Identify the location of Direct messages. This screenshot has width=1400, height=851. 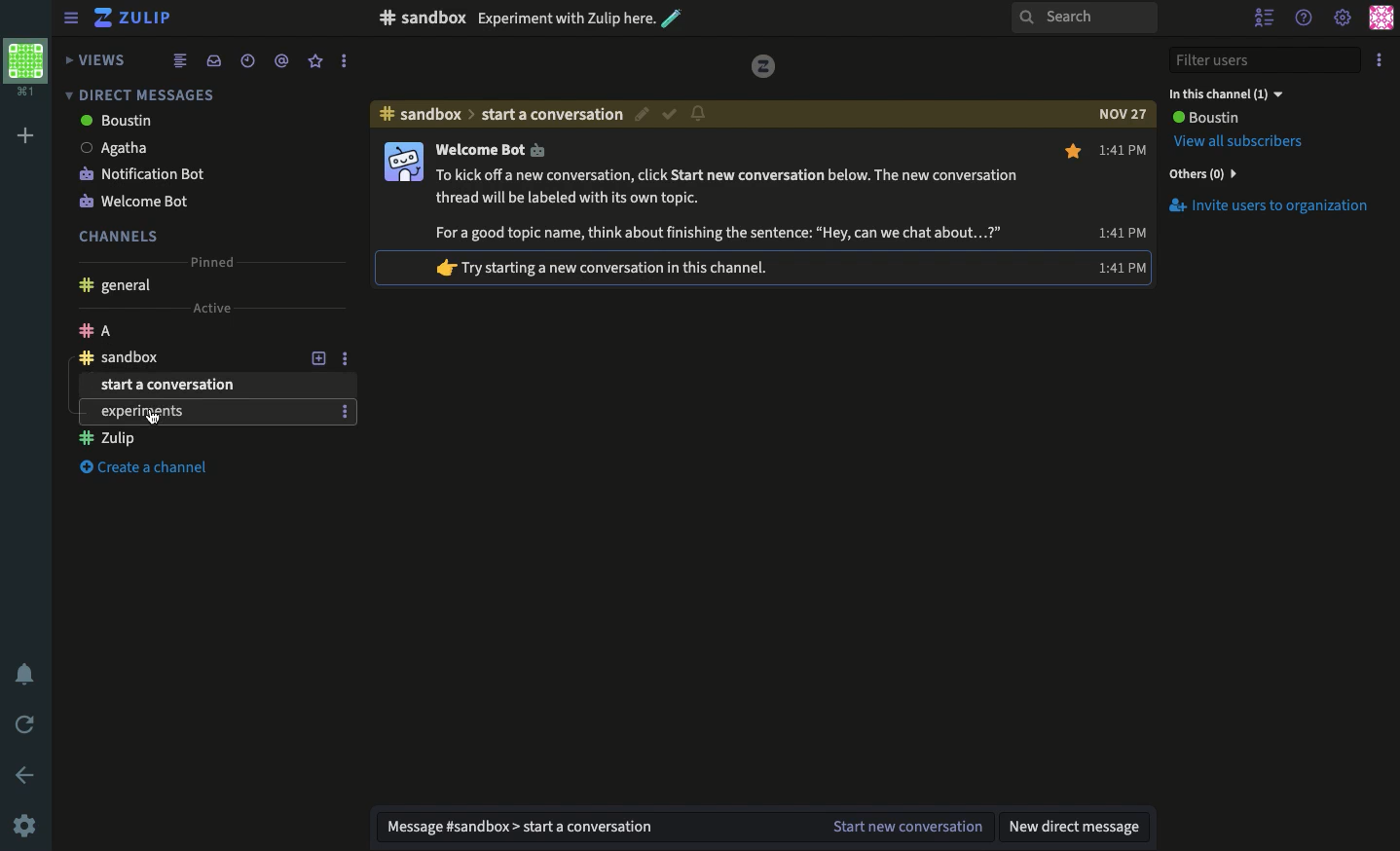
(136, 94).